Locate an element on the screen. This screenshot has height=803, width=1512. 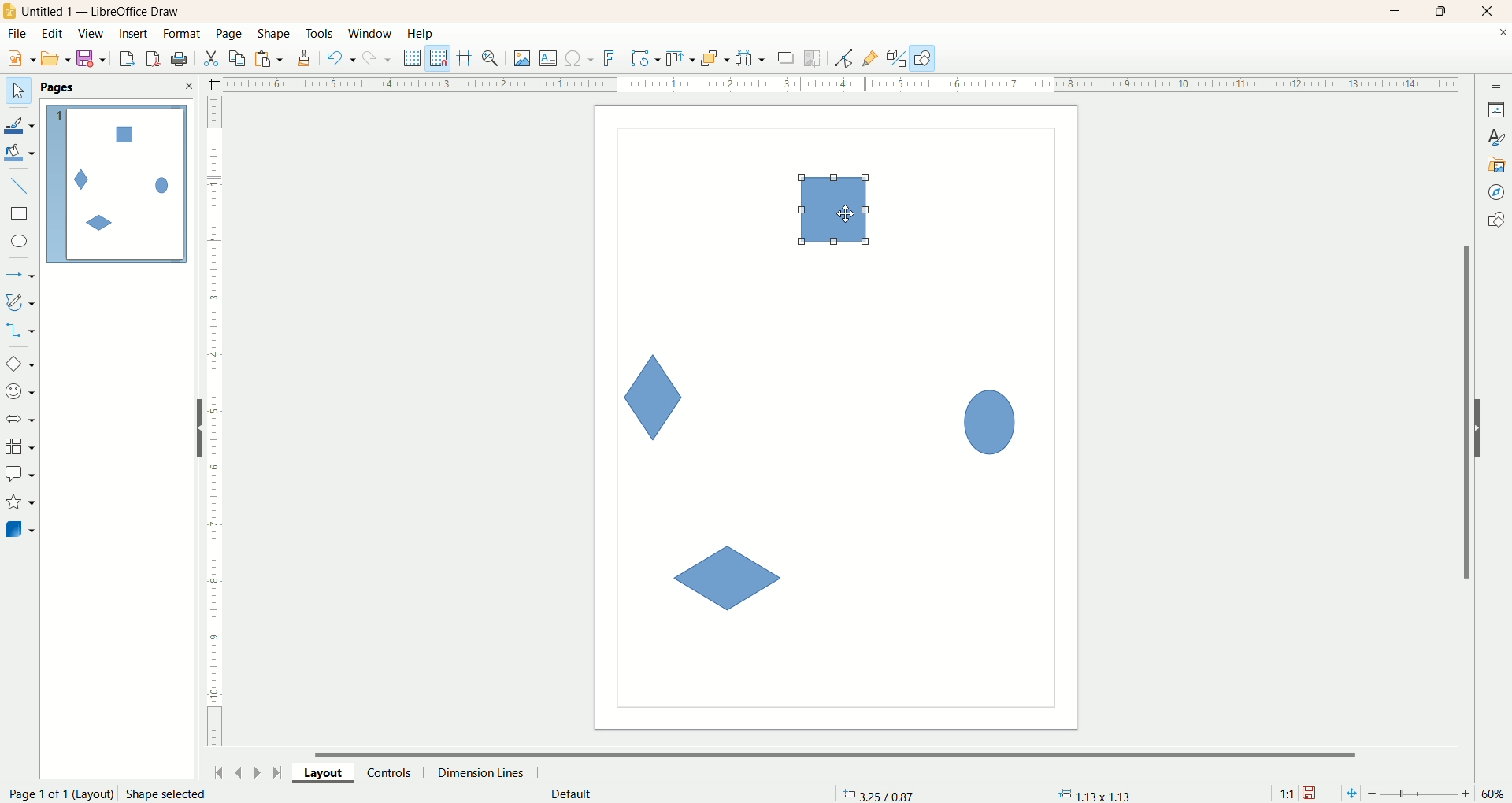
close is located at coordinates (188, 86).